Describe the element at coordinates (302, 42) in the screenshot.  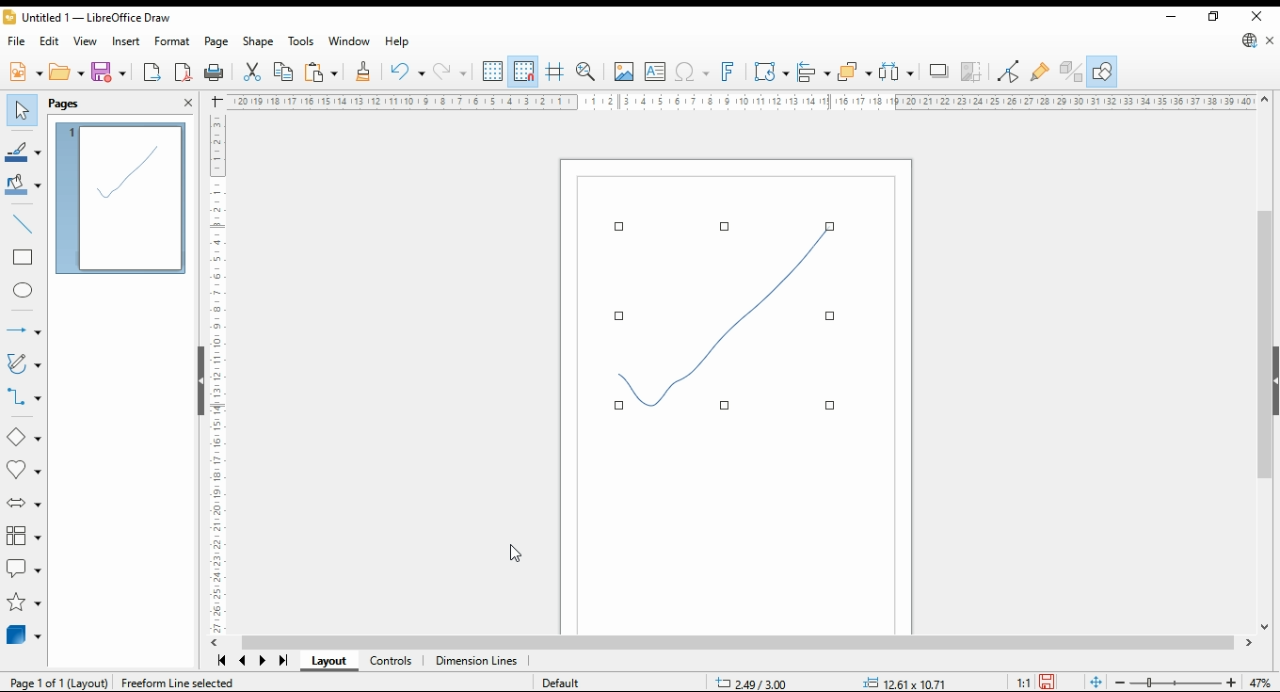
I see `tools` at that location.